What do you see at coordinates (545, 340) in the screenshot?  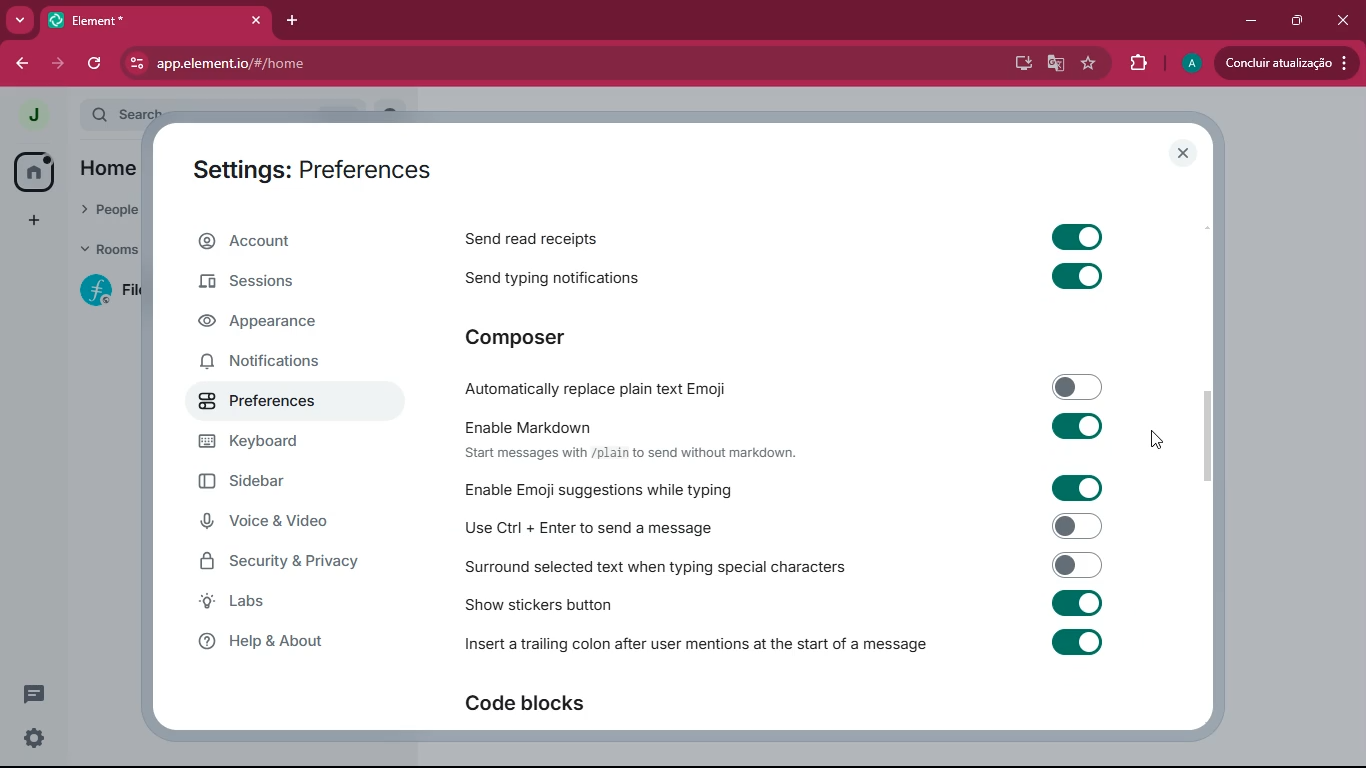 I see `composer` at bounding box center [545, 340].